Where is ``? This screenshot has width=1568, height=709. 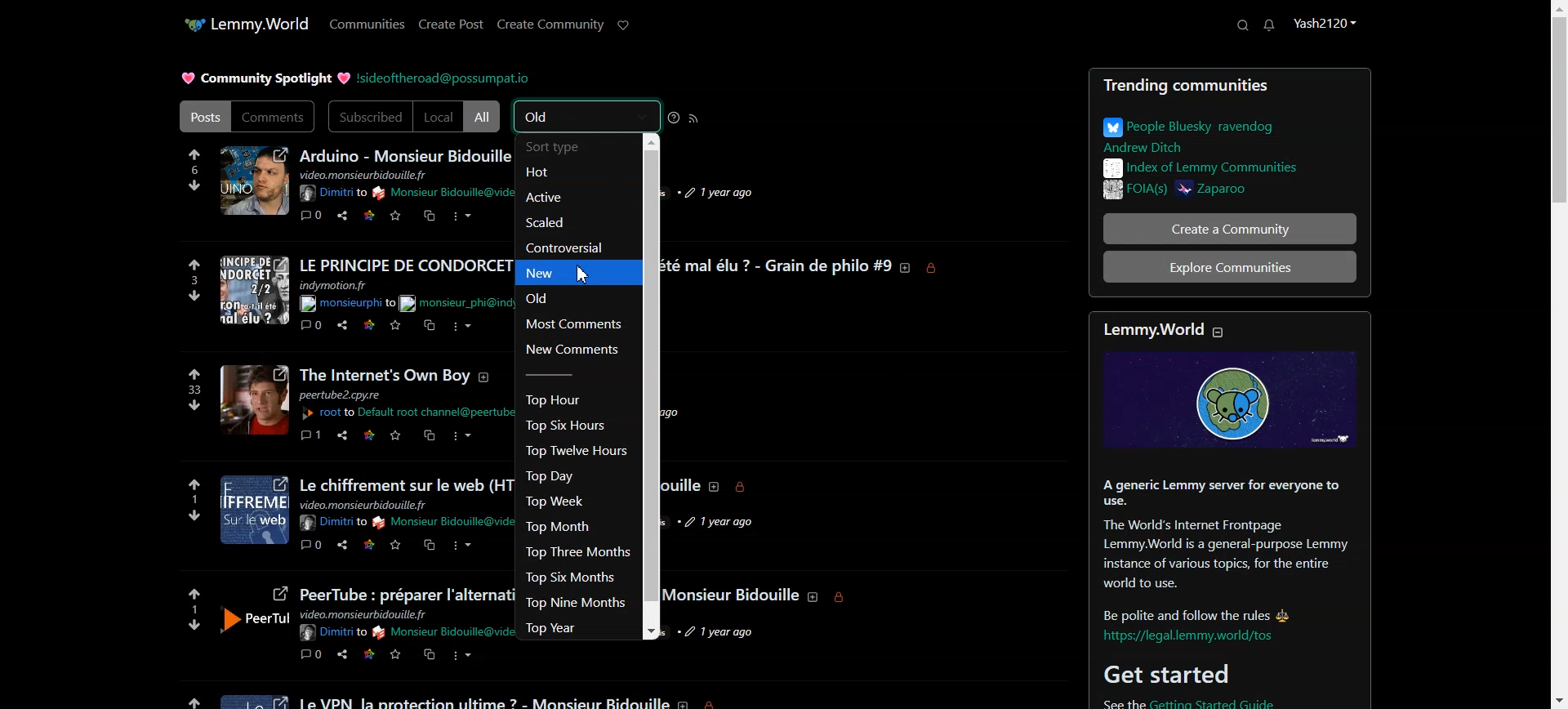
 is located at coordinates (728, 632).